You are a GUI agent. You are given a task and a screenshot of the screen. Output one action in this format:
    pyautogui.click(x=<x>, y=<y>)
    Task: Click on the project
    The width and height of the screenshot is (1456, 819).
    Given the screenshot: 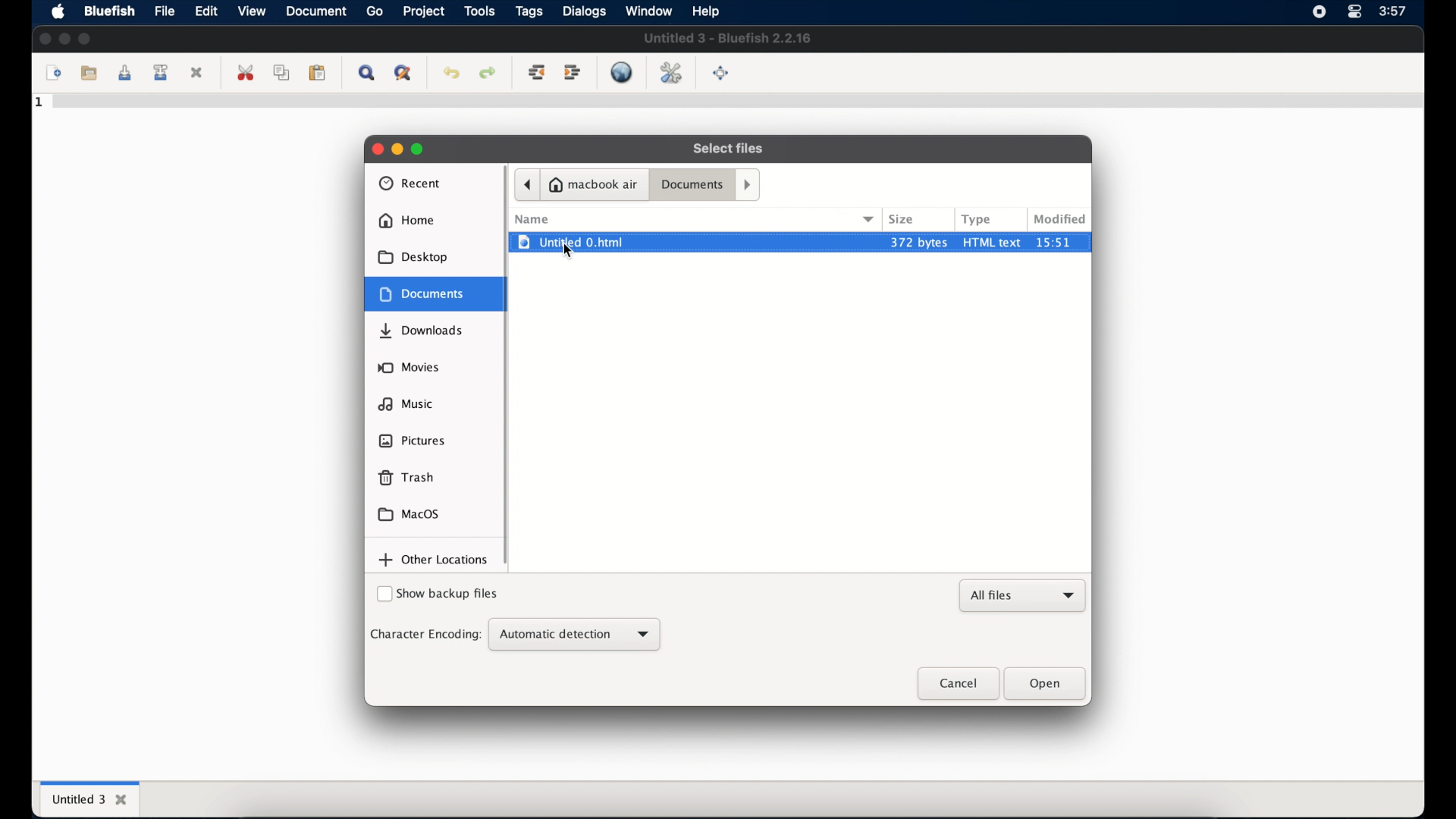 What is the action you would take?
    pyautogui.click(x=423, y=11)
    